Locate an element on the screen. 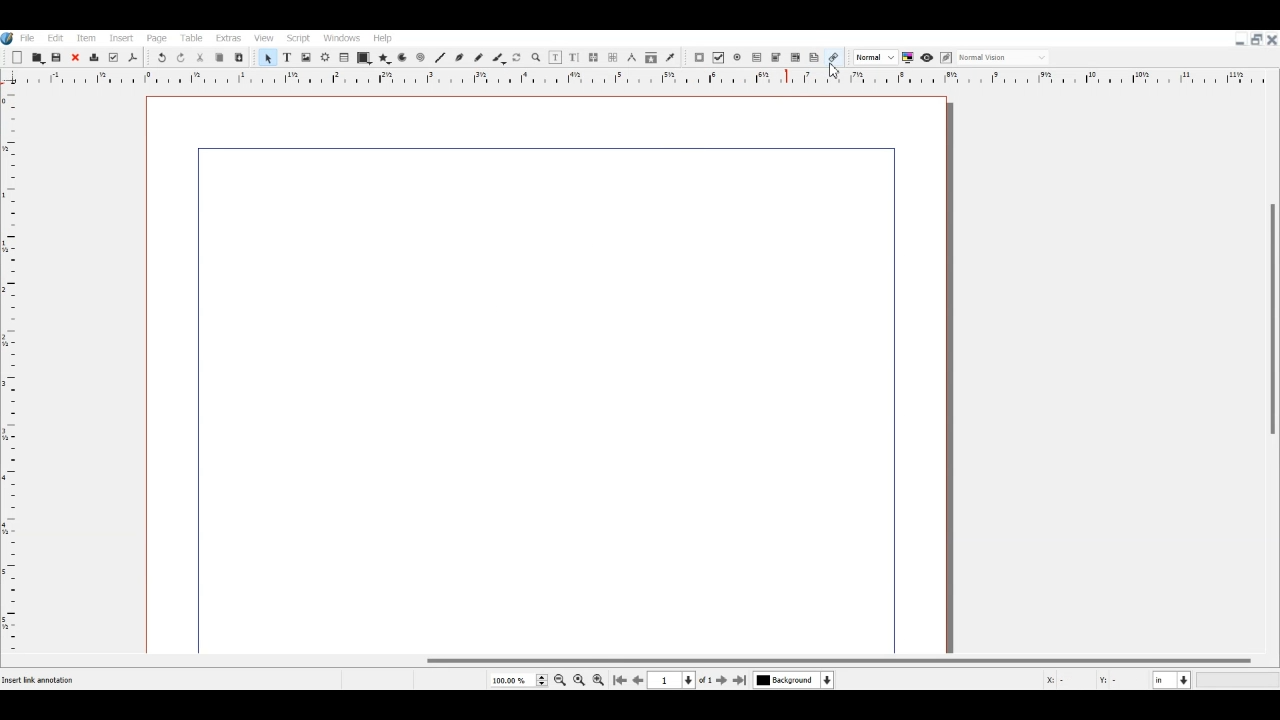 The image size is (1280, 720). Undo is located at coordinates (161, 58).